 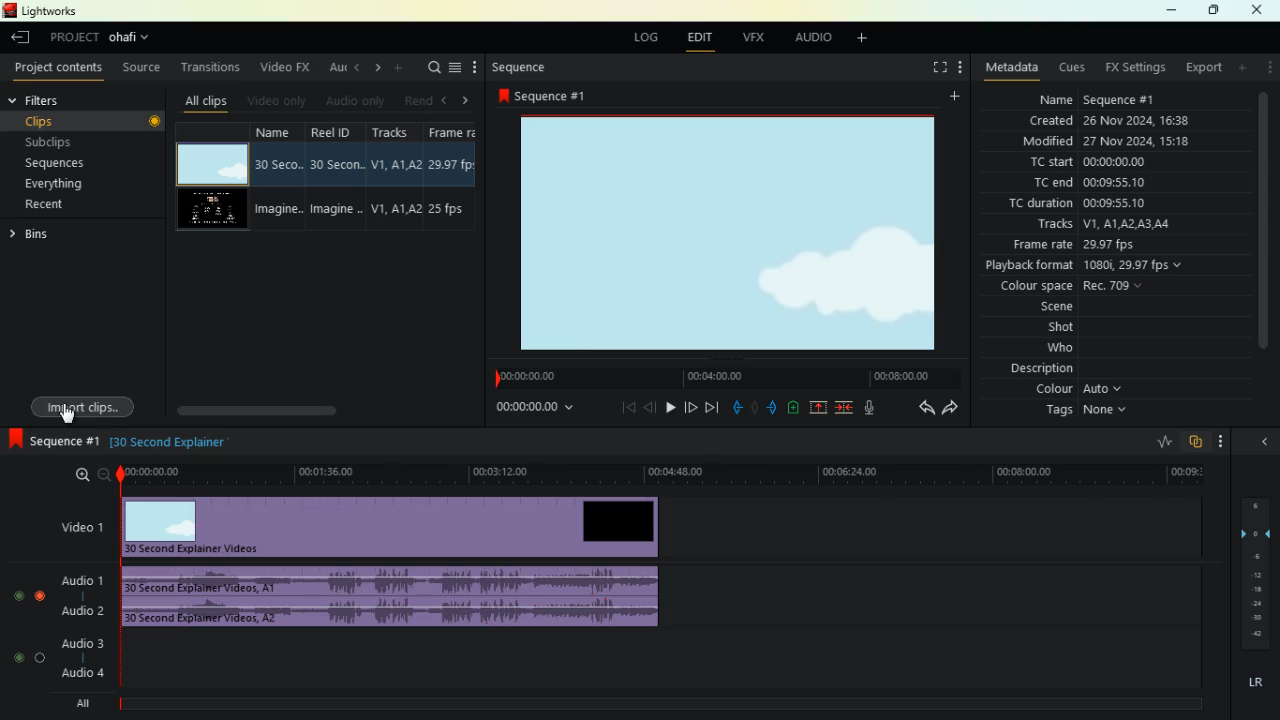 What do you see at coordinates (620, 407) in the screenshot?
I see `beggining` at bounding box center [620, 407].